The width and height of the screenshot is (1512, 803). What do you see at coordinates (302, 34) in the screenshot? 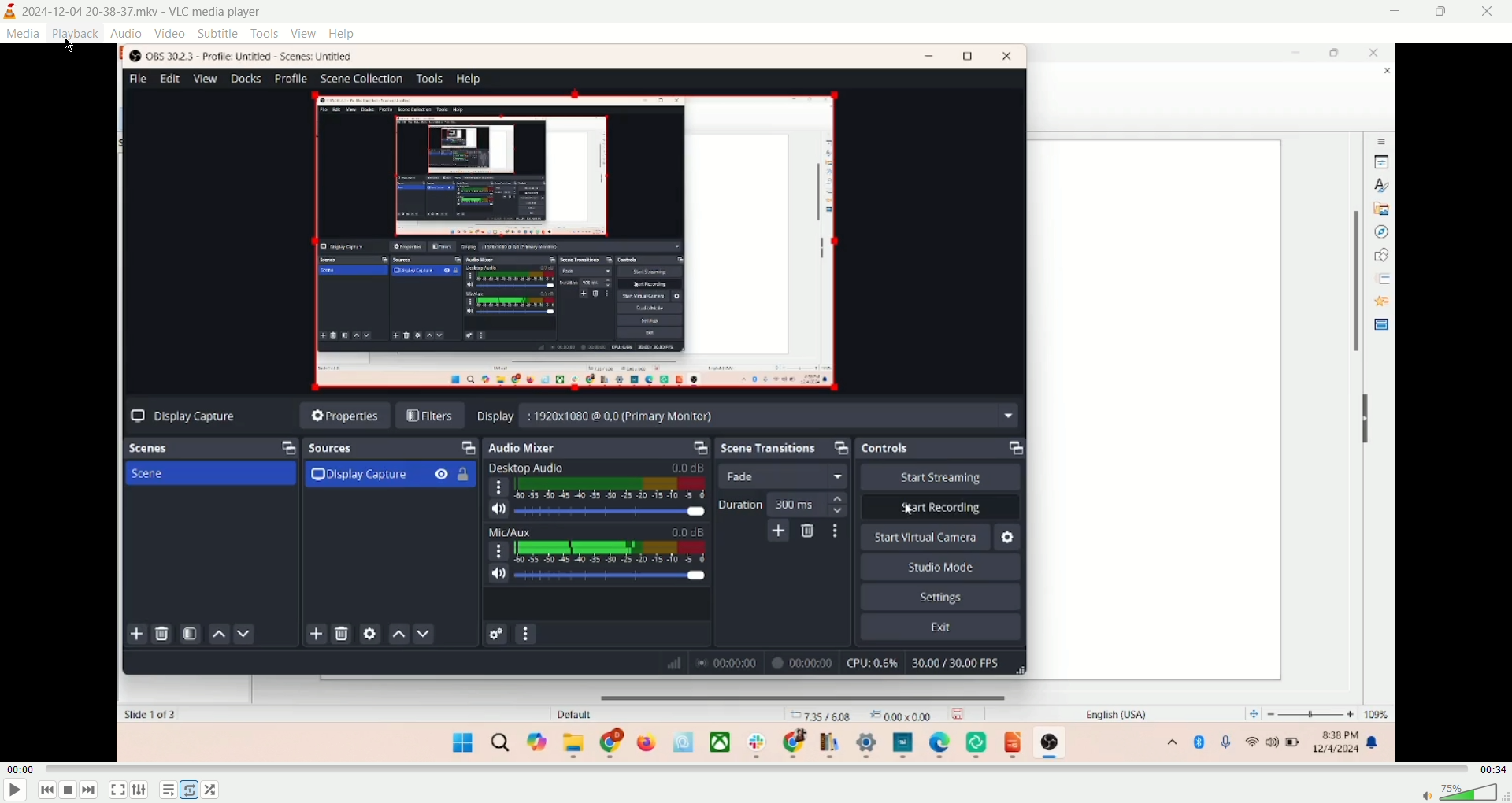
I see `view` at bounding box center [302, 34].